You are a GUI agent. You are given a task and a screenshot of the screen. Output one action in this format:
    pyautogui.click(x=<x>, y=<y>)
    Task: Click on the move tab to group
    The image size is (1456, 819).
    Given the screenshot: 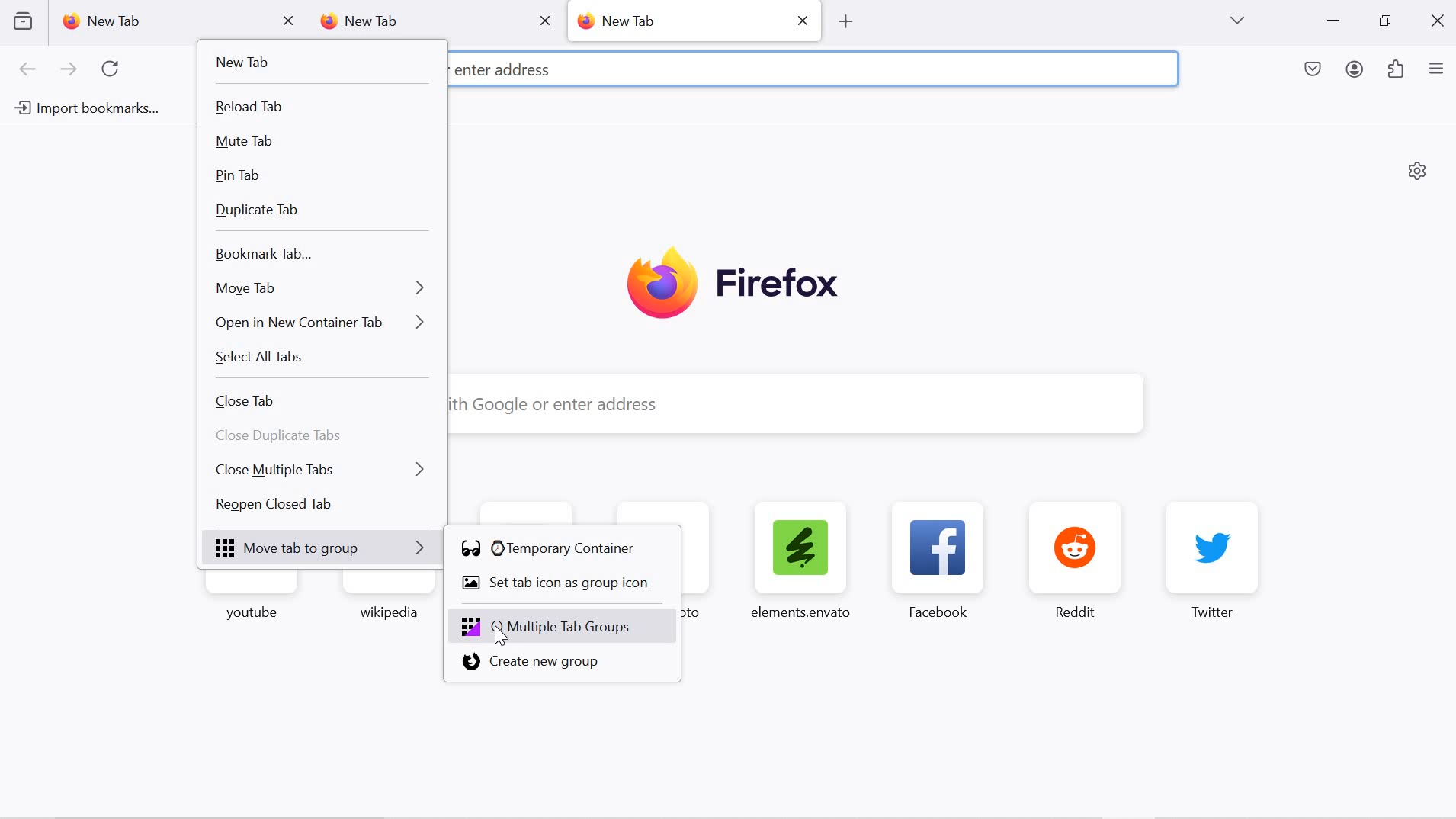 What is the action you would take?
    pyautogui.click(x=326, y=549)
    